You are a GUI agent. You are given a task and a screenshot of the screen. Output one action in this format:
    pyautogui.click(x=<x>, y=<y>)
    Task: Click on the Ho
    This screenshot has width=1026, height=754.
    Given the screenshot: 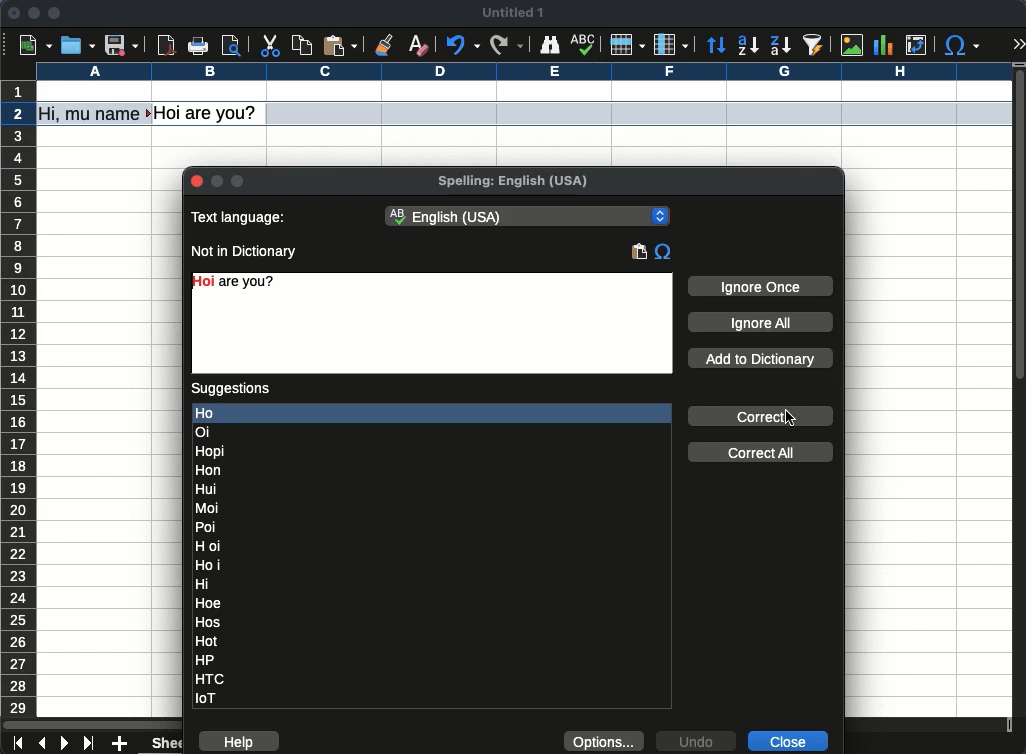 What is the action you would take?
    pyautogui.click(x=433, y=413)
    